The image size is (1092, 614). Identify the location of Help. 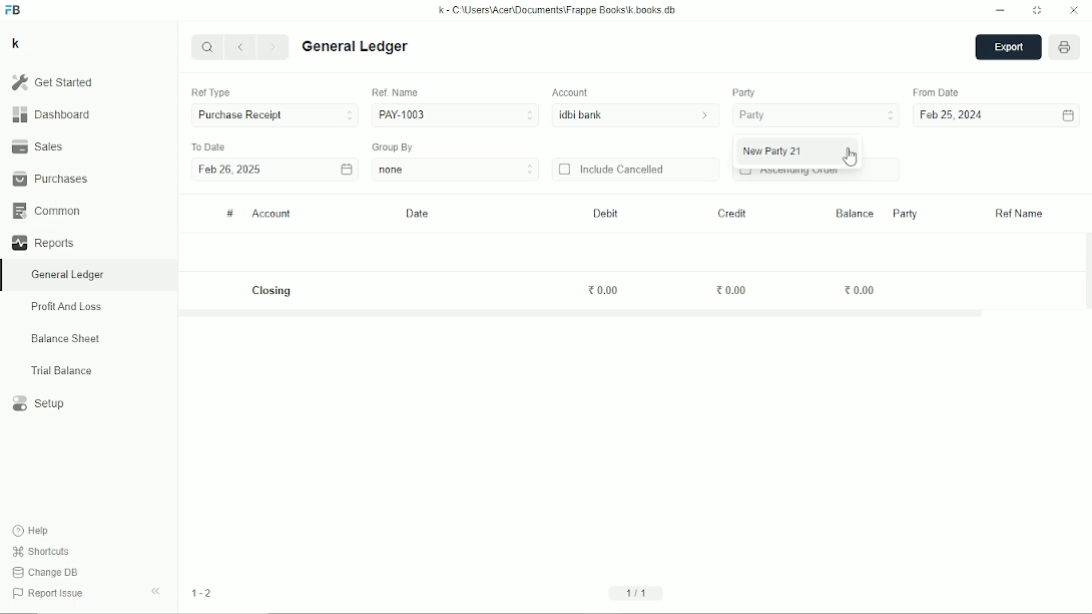
(33, 531).